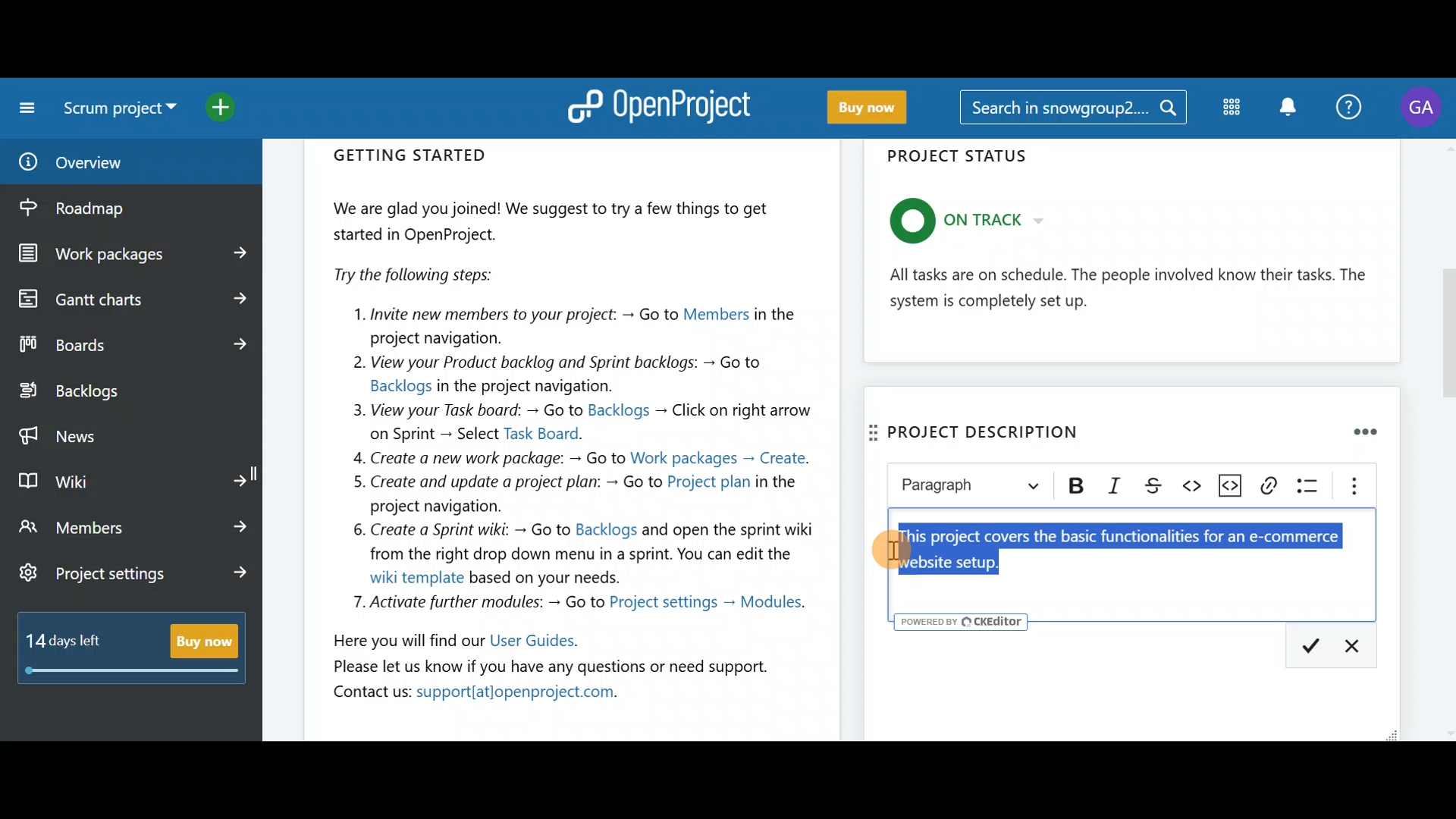 Image resolution: width=1456 pixels, height=819 pixels. What do you see at coordinates (972, 488) in the screenshot?
I see `Heading` at bounding box center [972, 488].